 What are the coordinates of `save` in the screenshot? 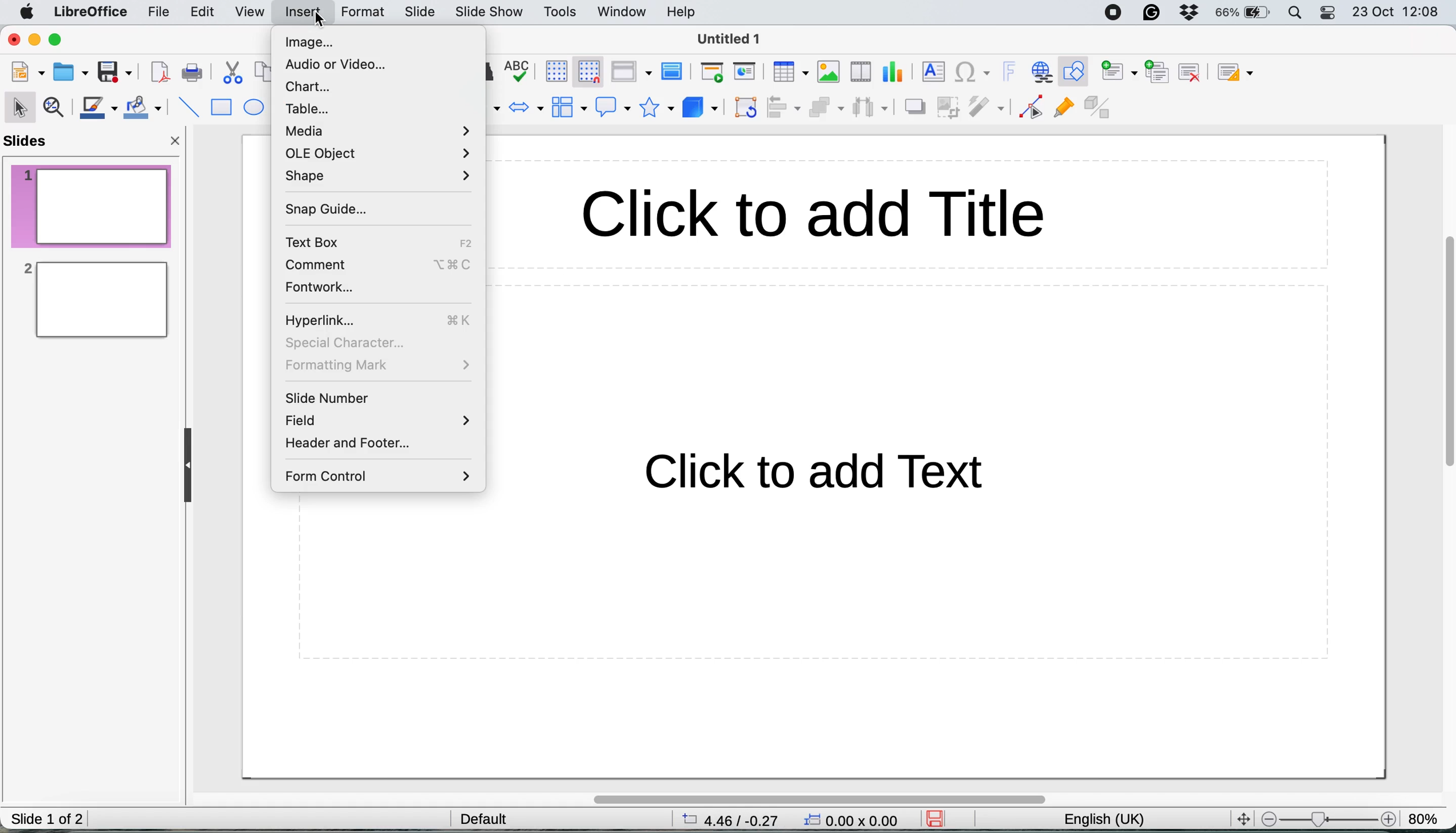 It's located at (940, 819).